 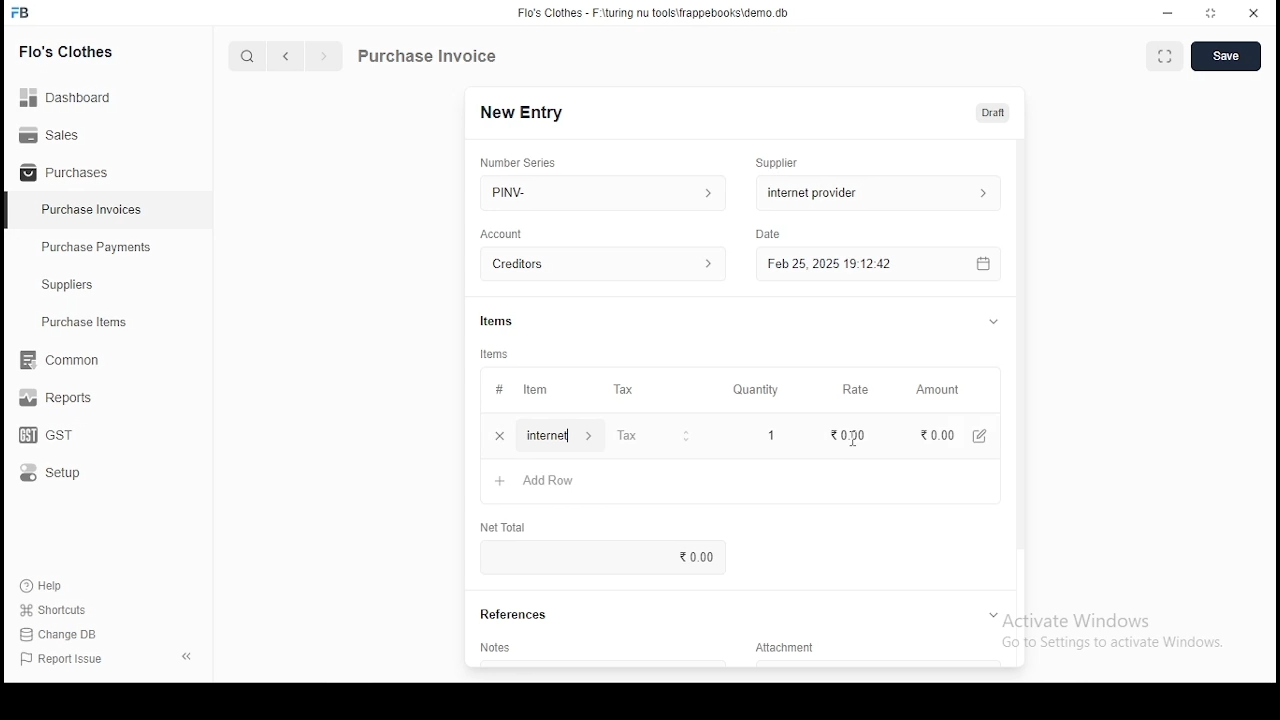 What do you see at coordinates (46, 437) in the screenshot?
I see `gst` at bounding box center [46, 437].